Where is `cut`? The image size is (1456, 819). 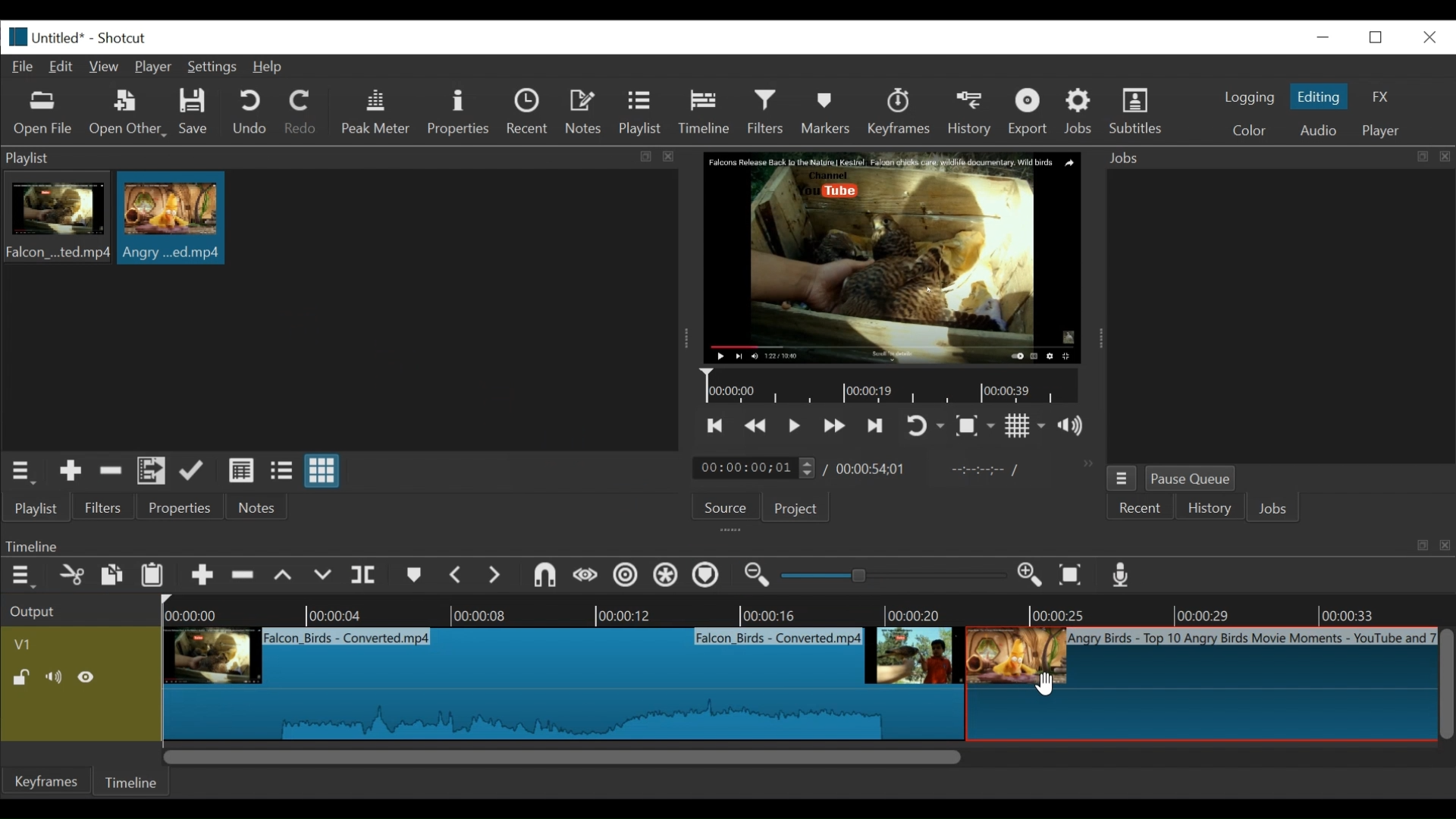
cut is located at coordinates (71, 576).